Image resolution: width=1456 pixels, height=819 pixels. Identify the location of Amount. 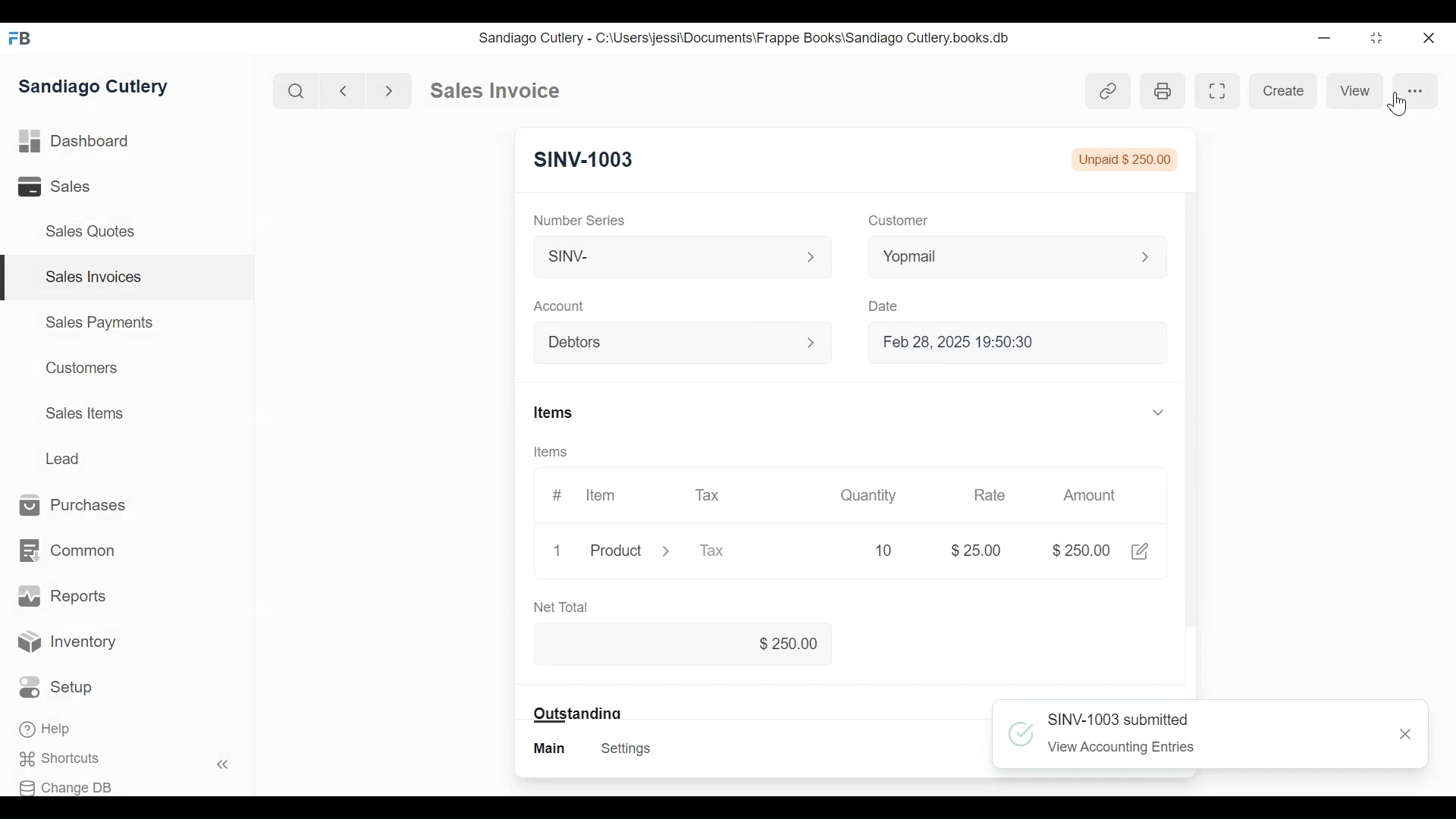
(1090, 496).